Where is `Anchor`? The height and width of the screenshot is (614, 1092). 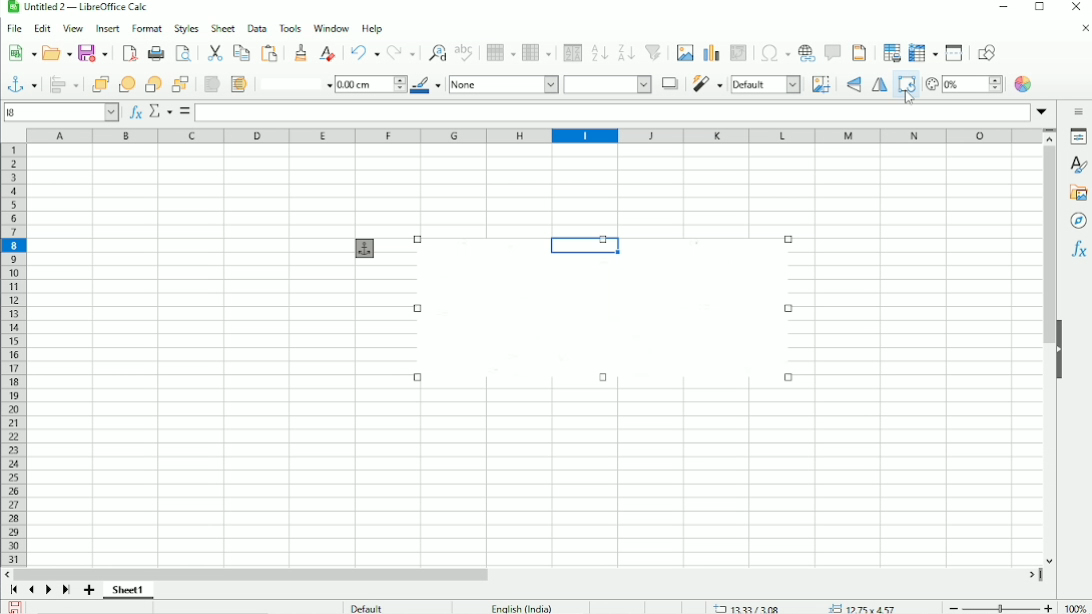 Anchor is located at coordinates (365, 248).